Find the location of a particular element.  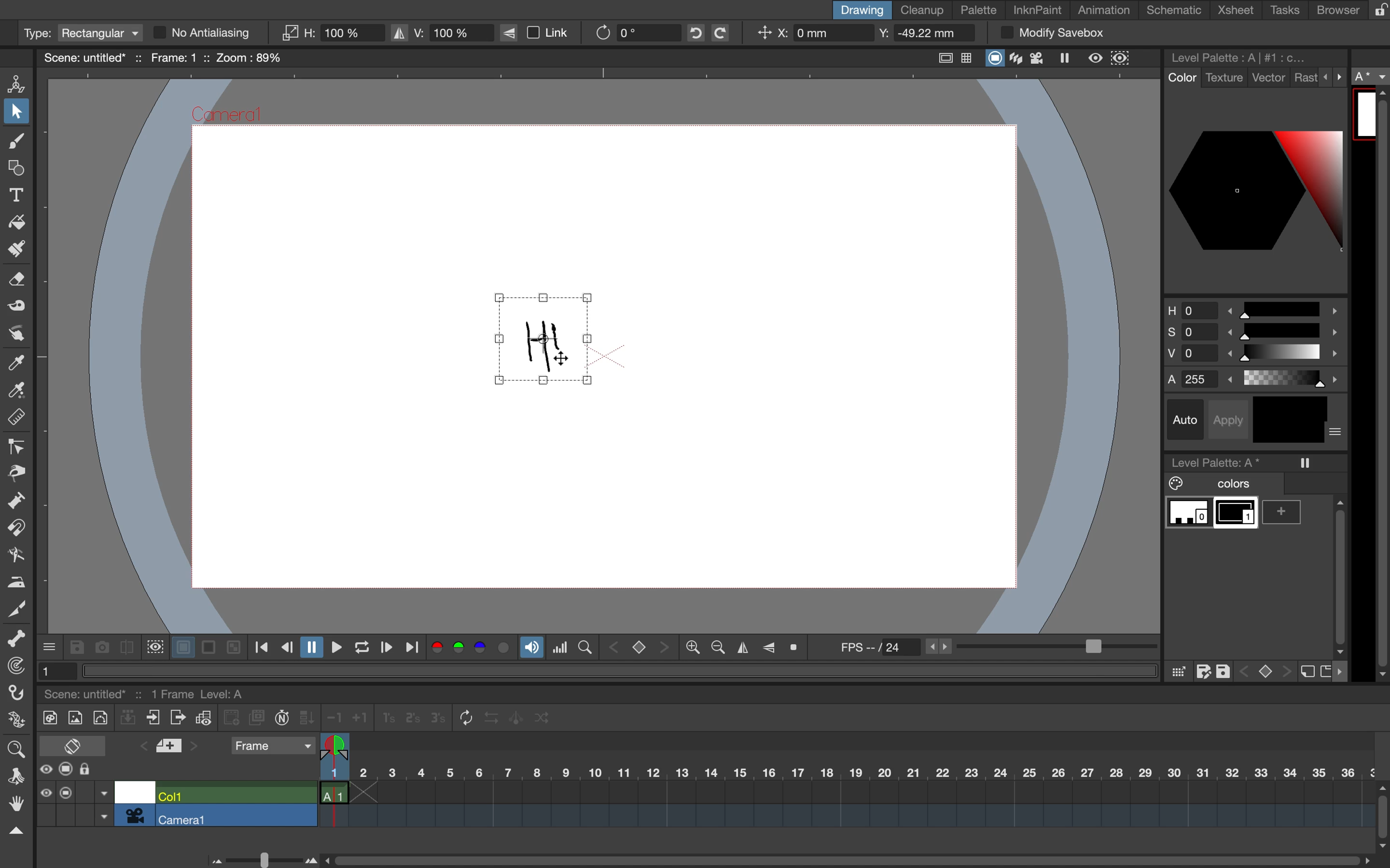

create blank drawing is located at coordinates (233, 718).